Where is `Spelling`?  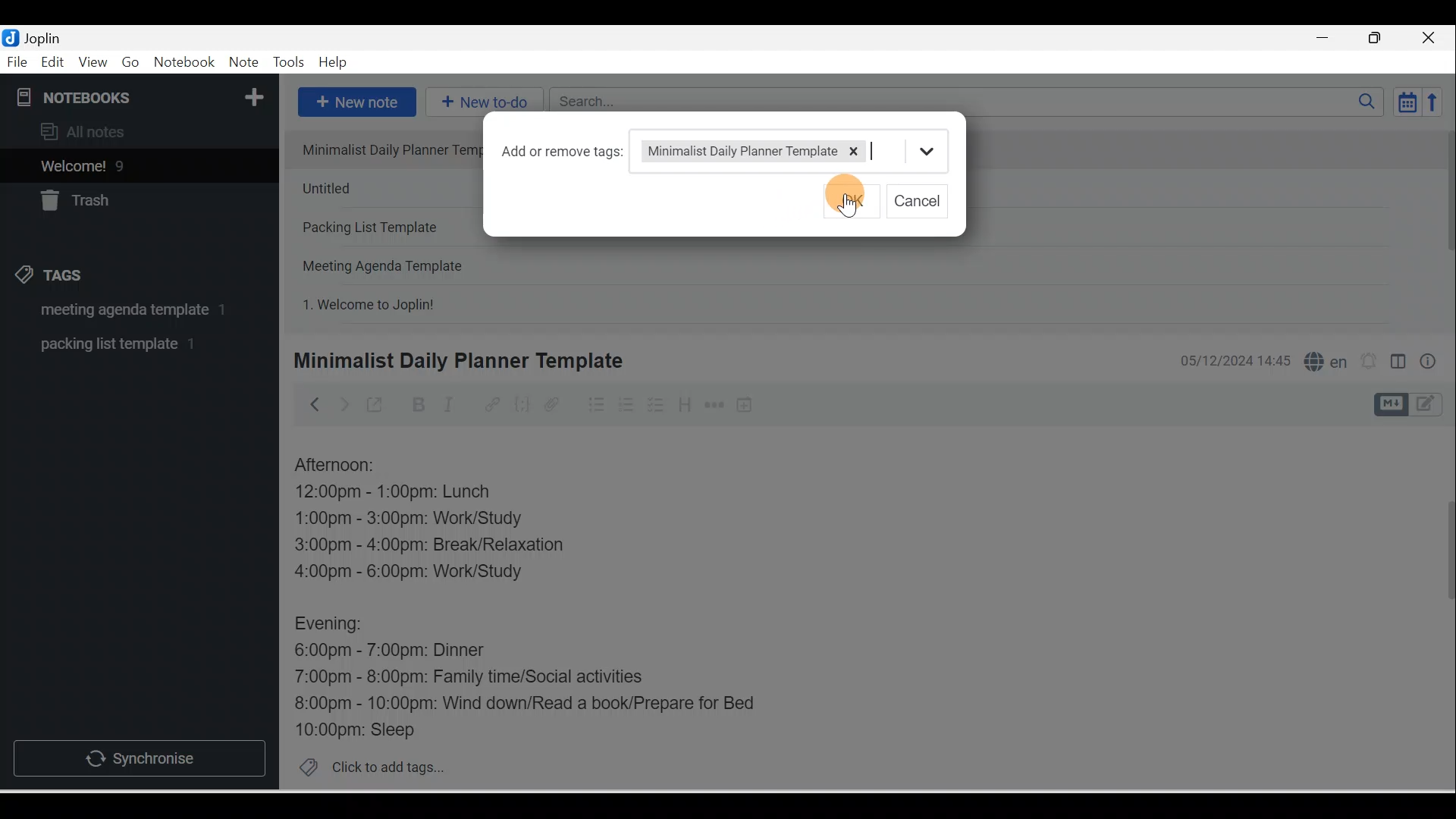 Spelling is located at coordinates (1323, 359).